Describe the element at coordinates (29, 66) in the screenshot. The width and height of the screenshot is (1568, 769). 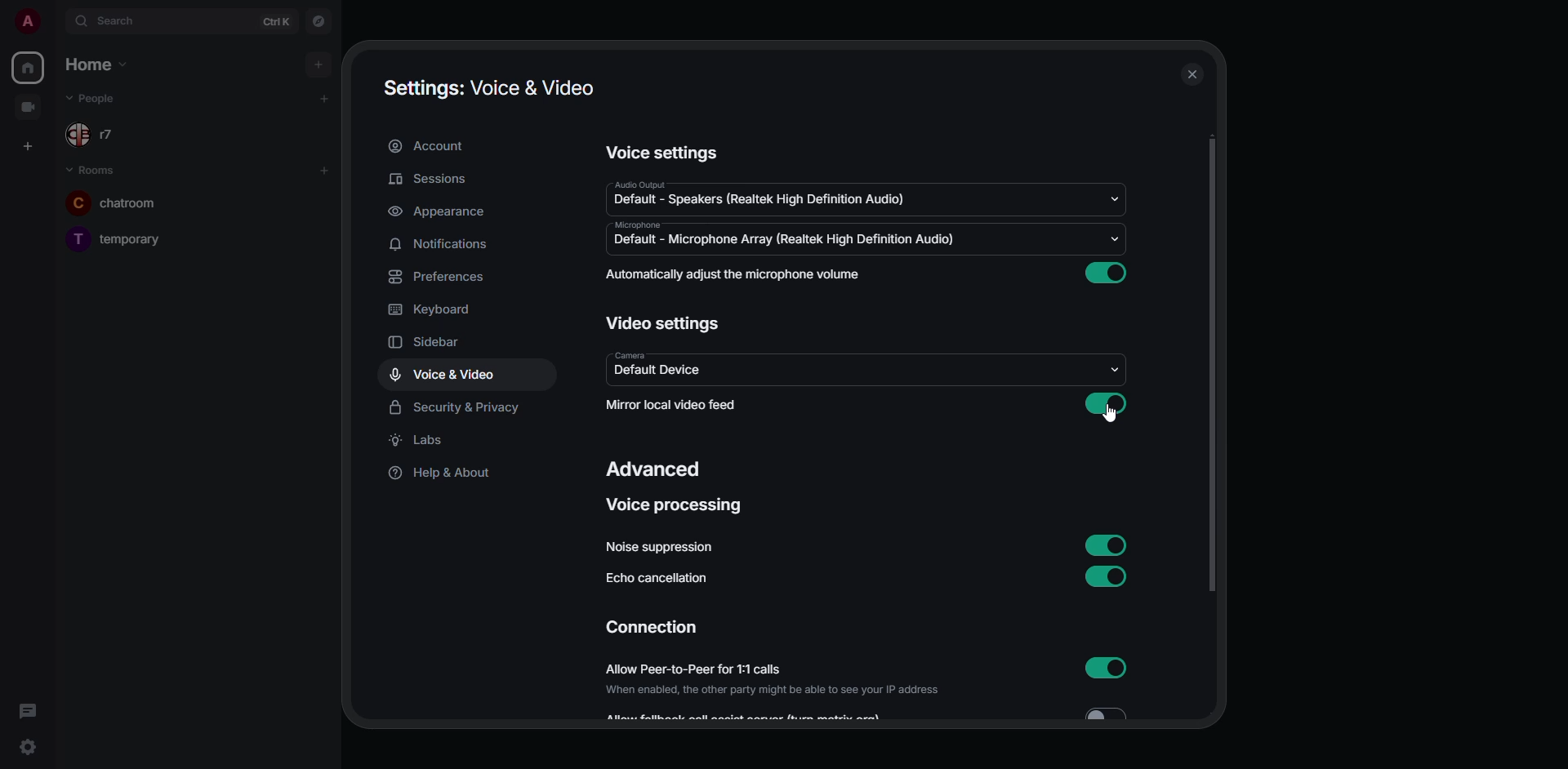
I see `home` at that location.